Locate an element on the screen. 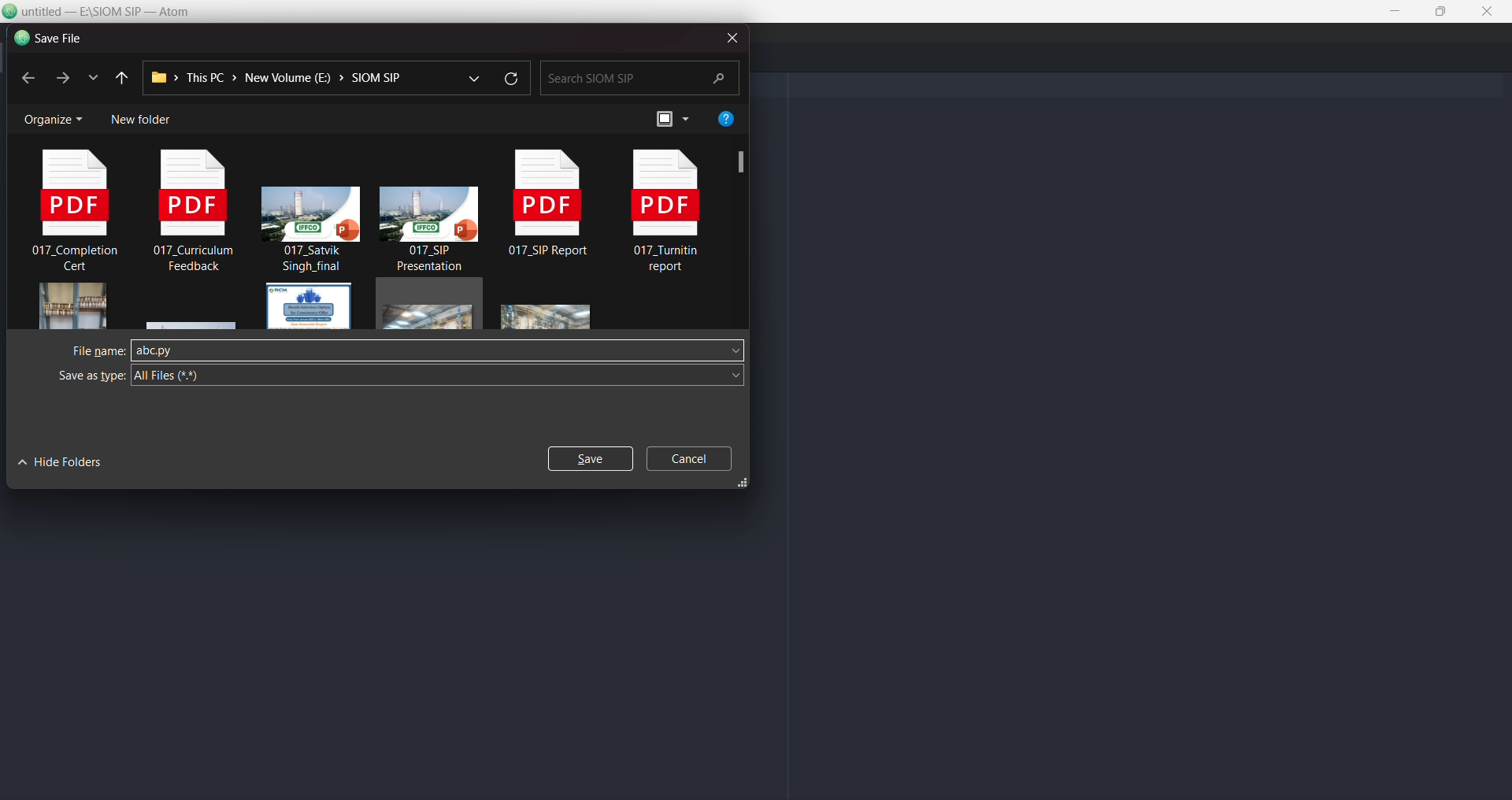 This screenshot has width=1512, height=800. refresh is located at coordinates (511, 78).